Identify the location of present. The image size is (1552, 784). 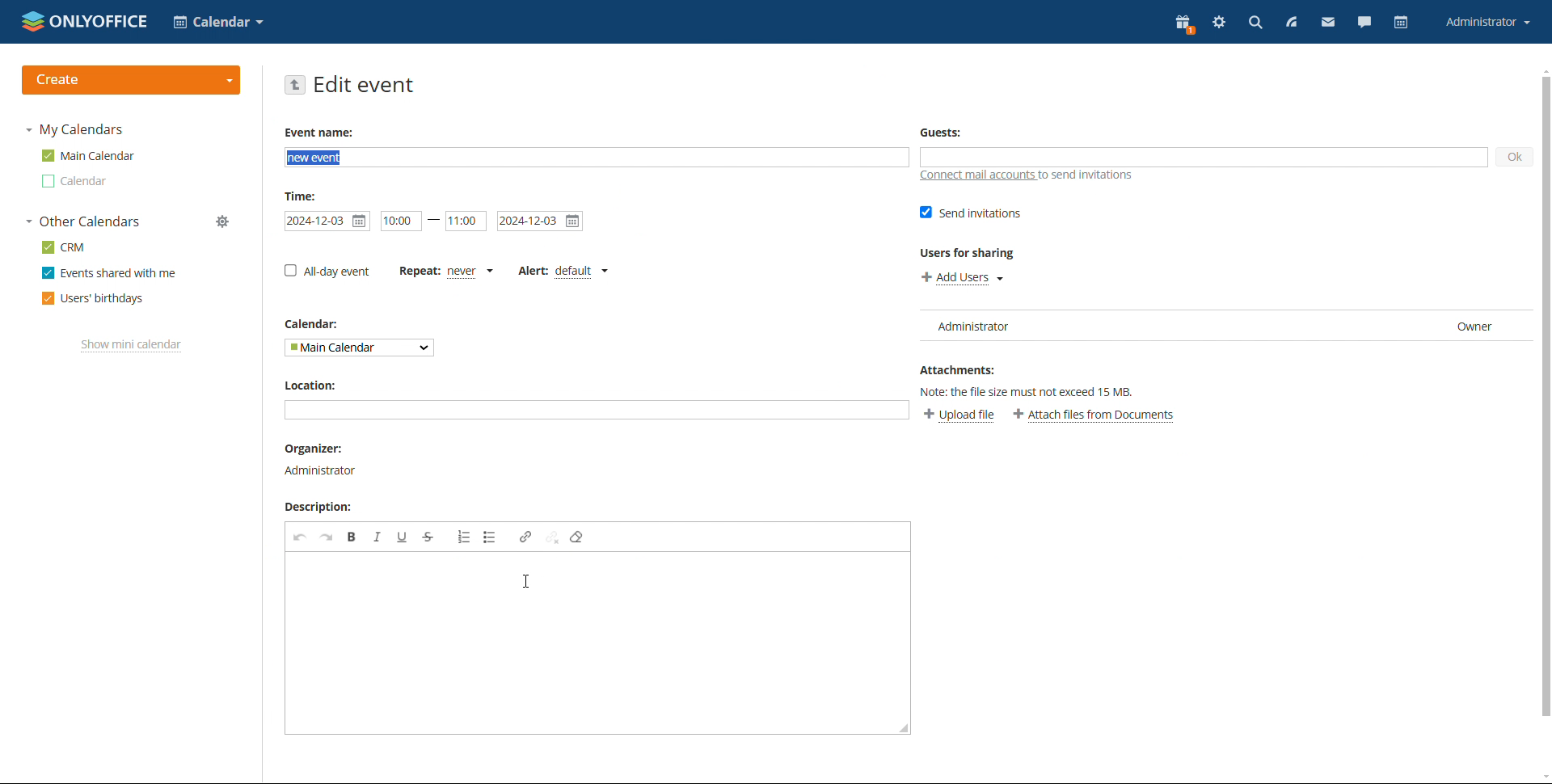
(1184, 25).